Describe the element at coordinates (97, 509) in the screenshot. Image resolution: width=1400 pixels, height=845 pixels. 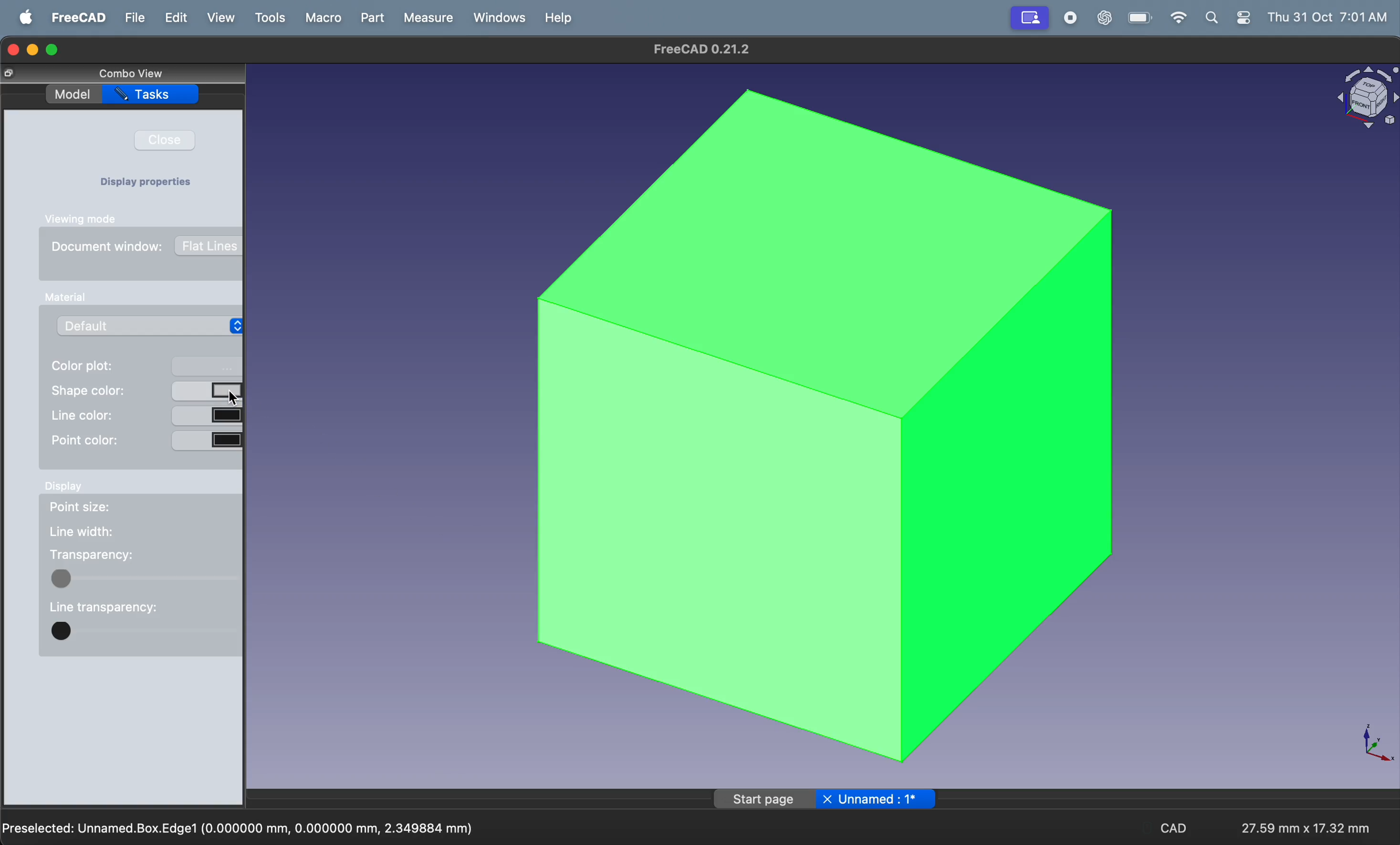
I see `point size` at that location.